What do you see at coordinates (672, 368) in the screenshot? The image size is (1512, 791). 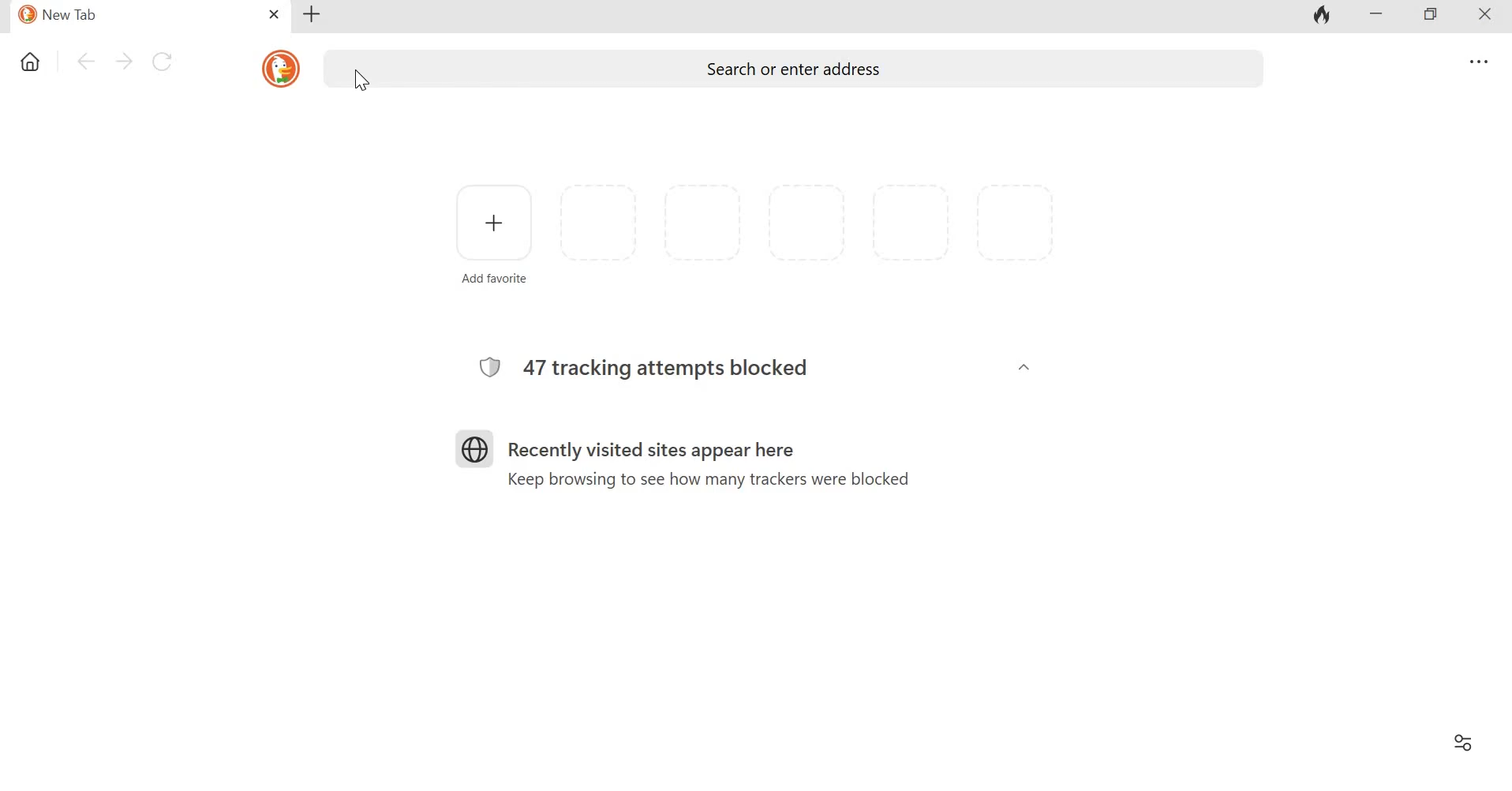 I see `47 tracking attempts blocked` at bounding box center [672, 368].